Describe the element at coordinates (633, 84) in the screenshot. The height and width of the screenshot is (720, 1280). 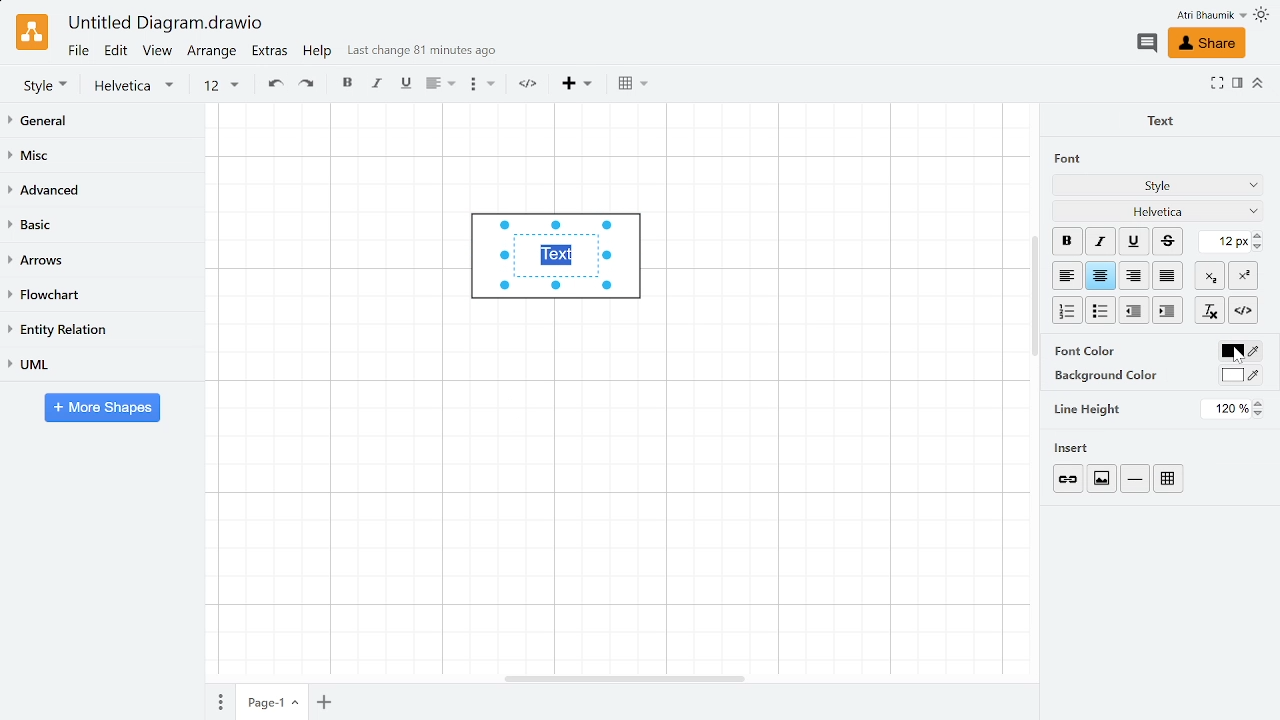
I see `borders` at that location.